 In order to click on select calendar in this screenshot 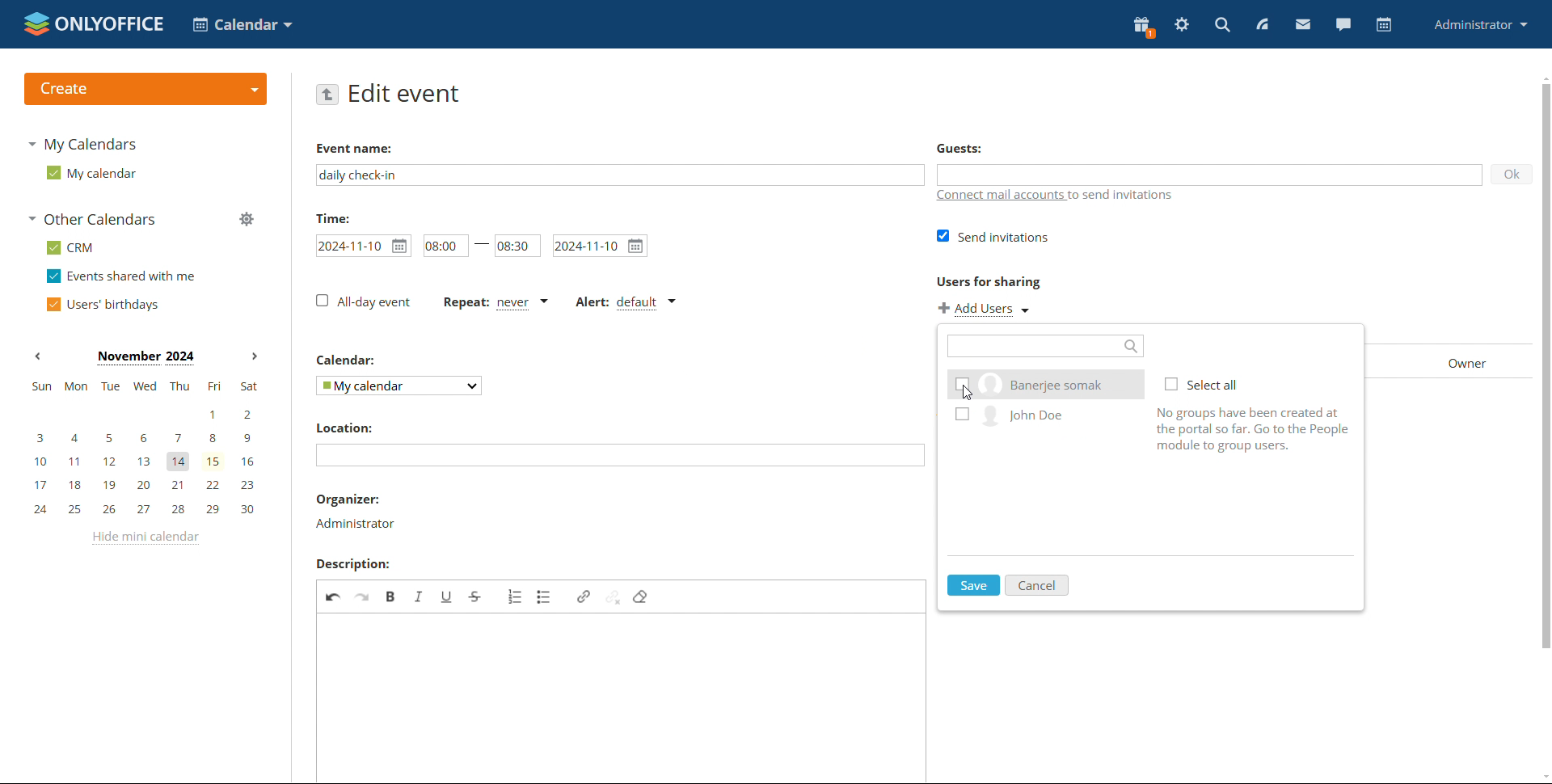, I will do `click(400, 386)`.